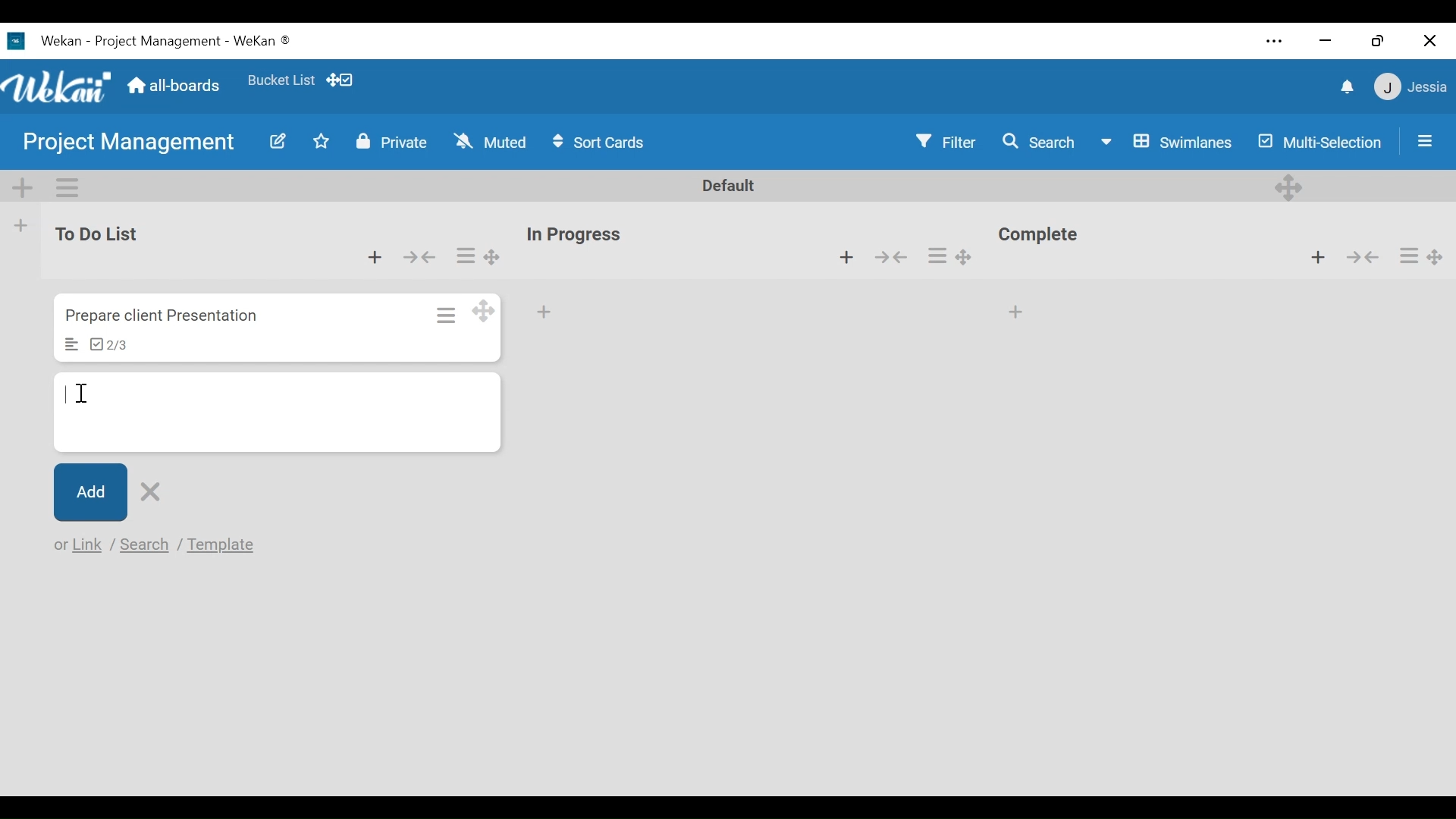 The height and width of the screenshot is (819, 1456). What do you see at coordinates (490, 142) in the screenshot?
I see `Muted` at bounding box center [490, 142].